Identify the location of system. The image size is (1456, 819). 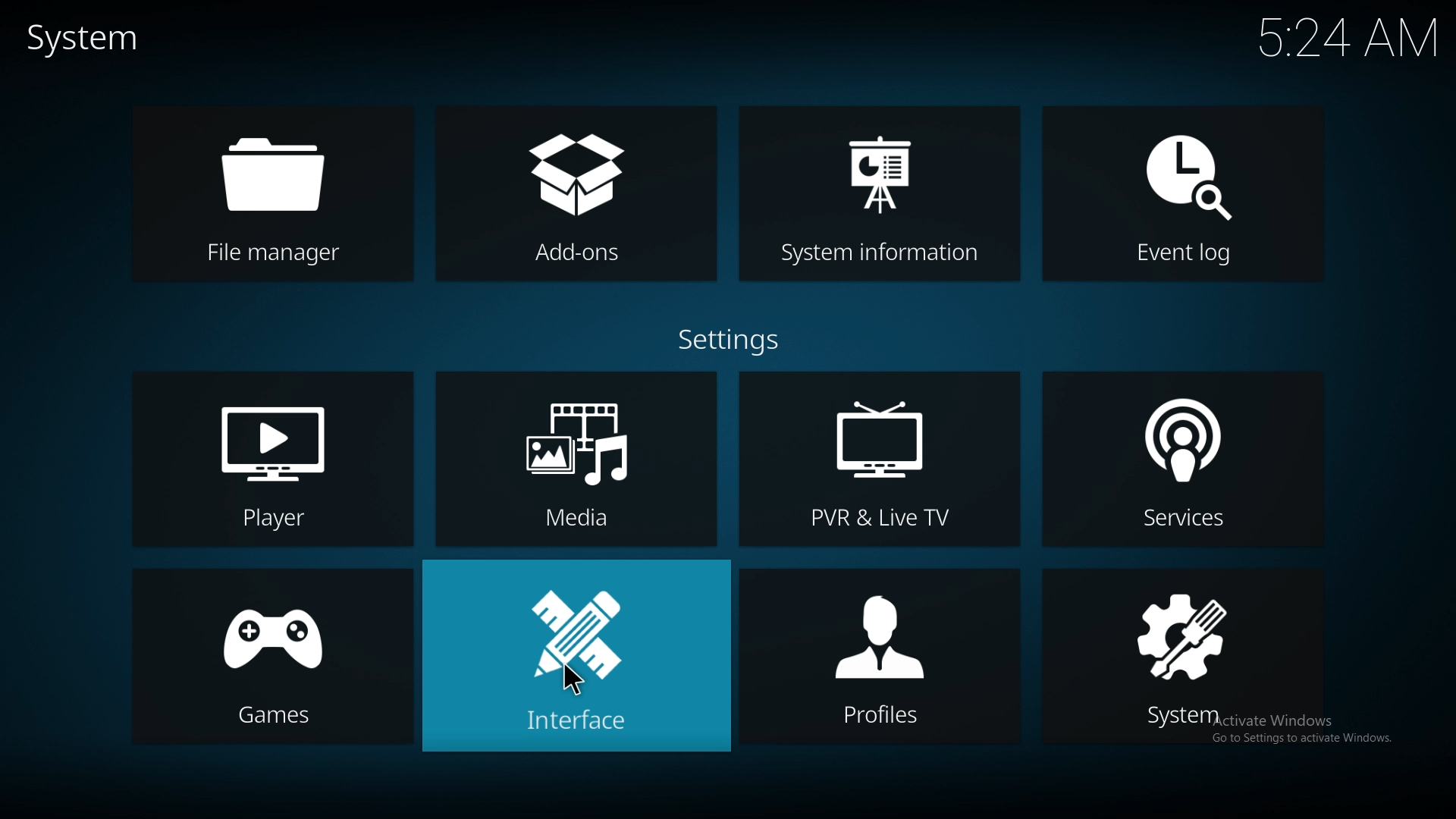
(87, 37).